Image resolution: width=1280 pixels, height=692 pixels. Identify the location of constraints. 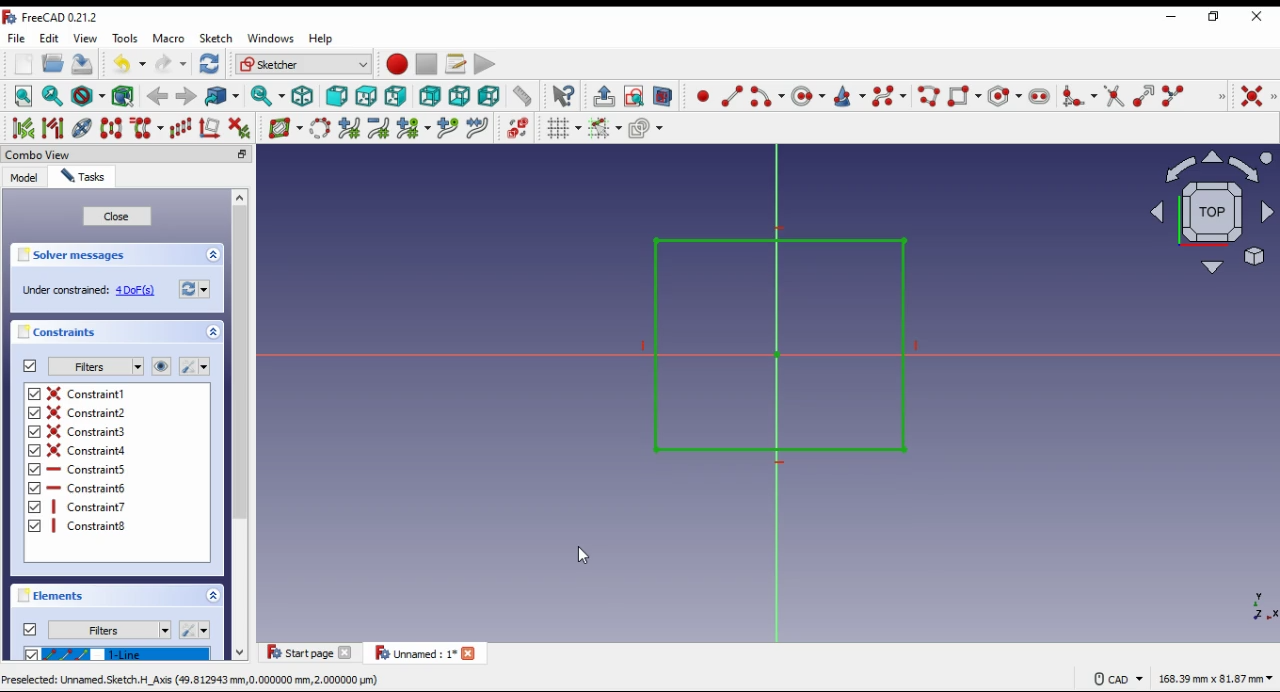
(62, 333).